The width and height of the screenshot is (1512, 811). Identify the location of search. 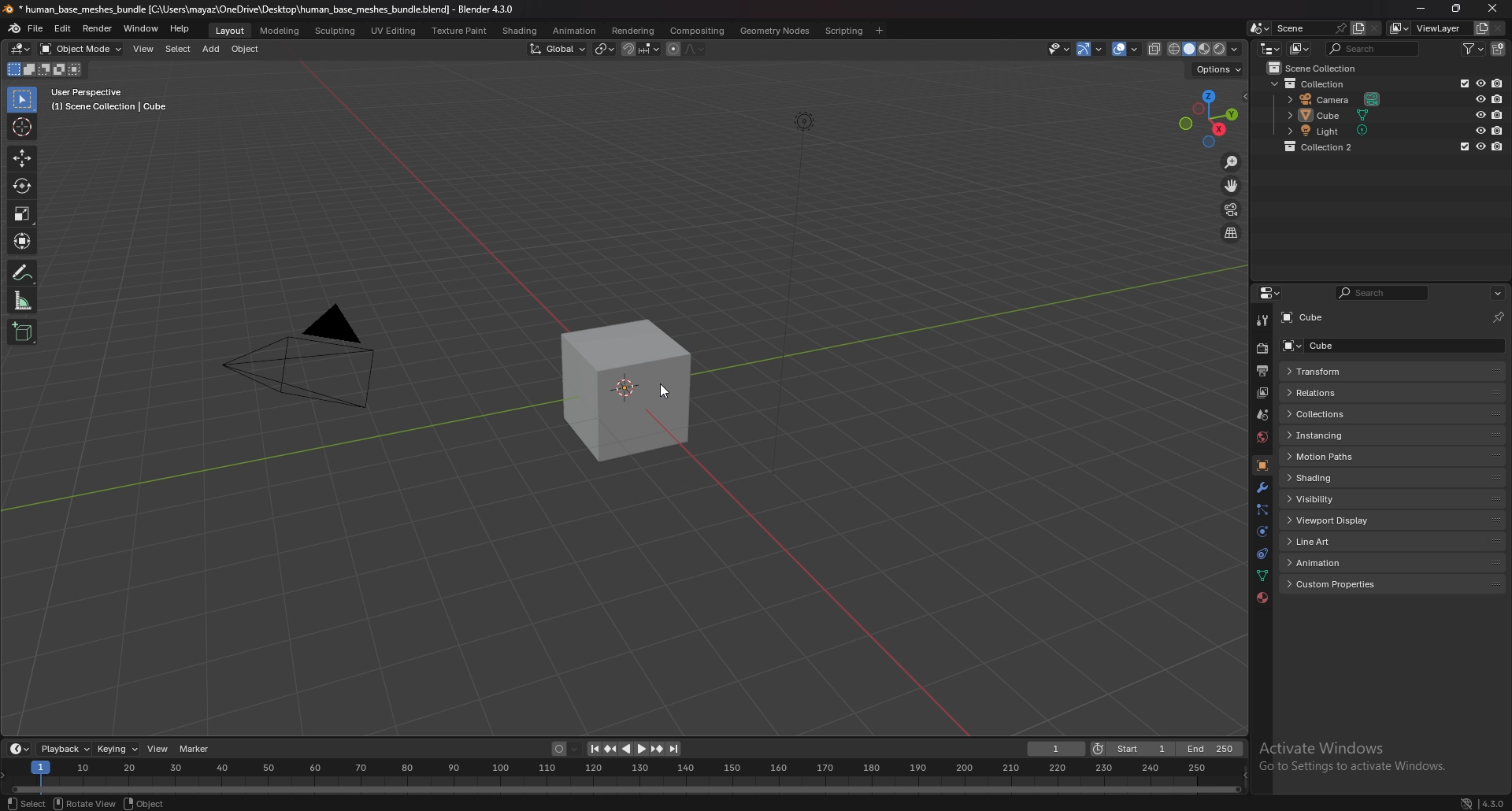
(1375, 48).